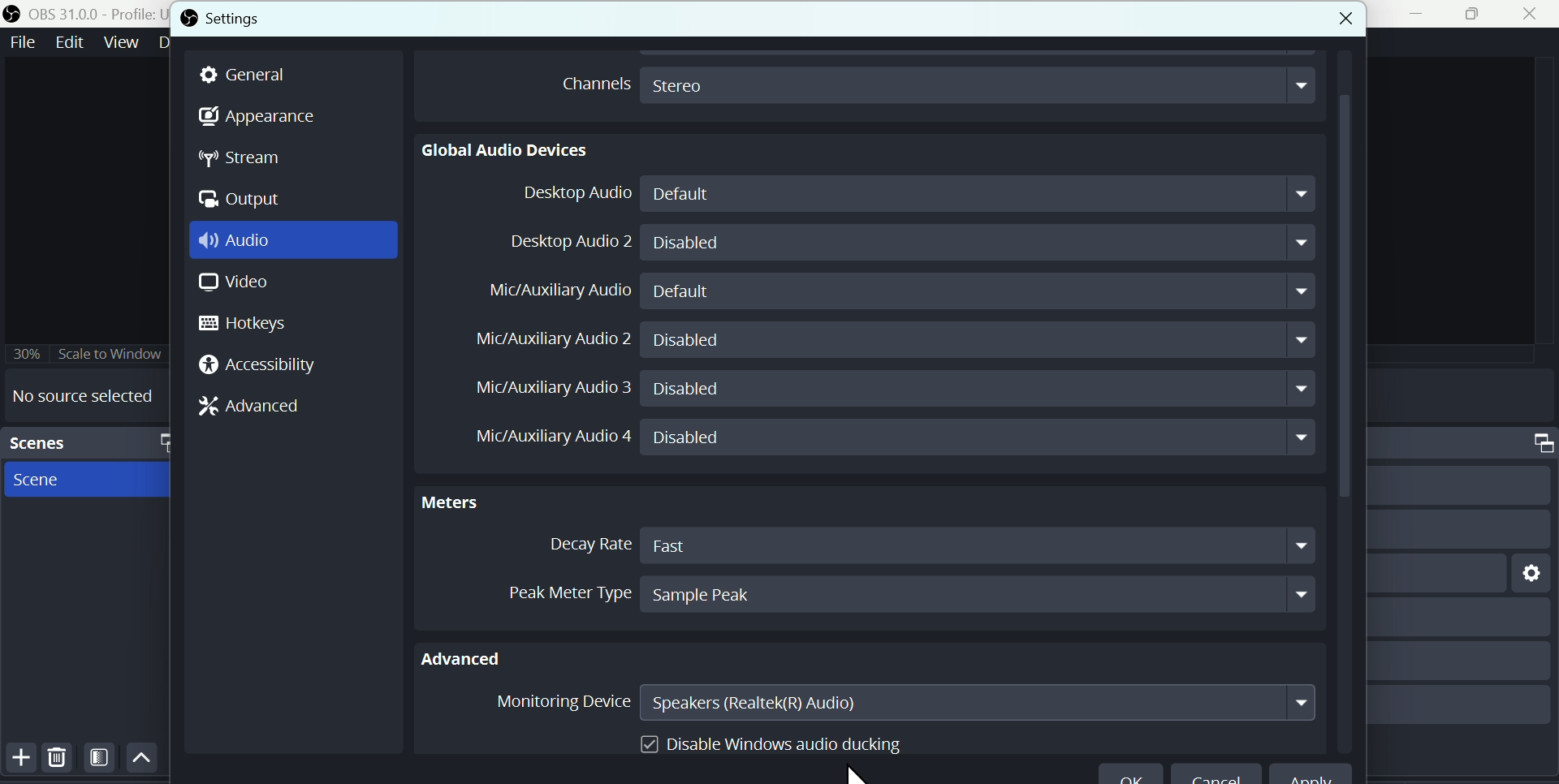 Image resolution: width=1559 pixels, height=784 pixels. Describe the element at coordinates (141, 759) in the screenshot. I see `Up` at that location.